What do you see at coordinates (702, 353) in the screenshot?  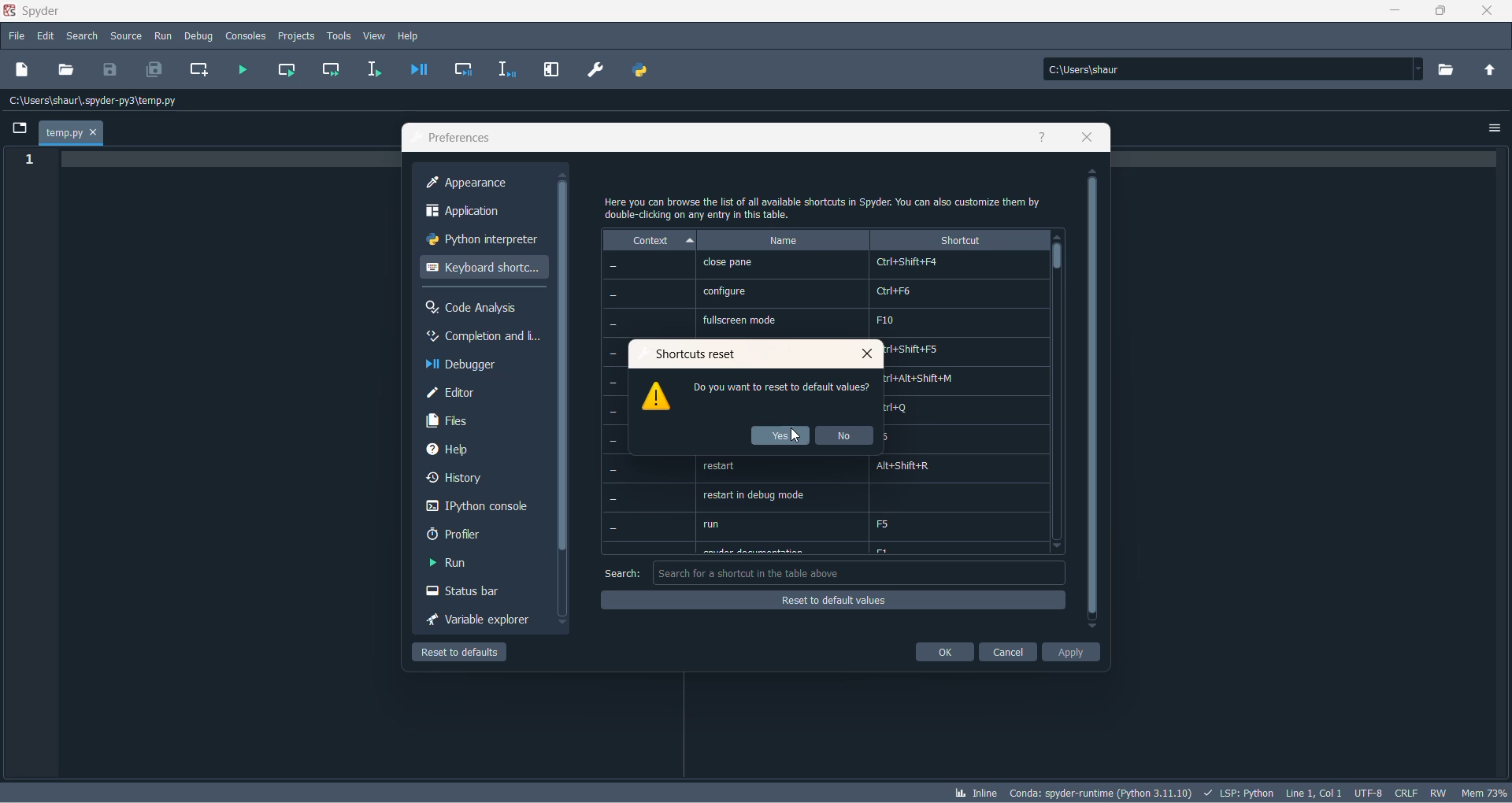 I see `reset values` at bounding box center [702, 353].